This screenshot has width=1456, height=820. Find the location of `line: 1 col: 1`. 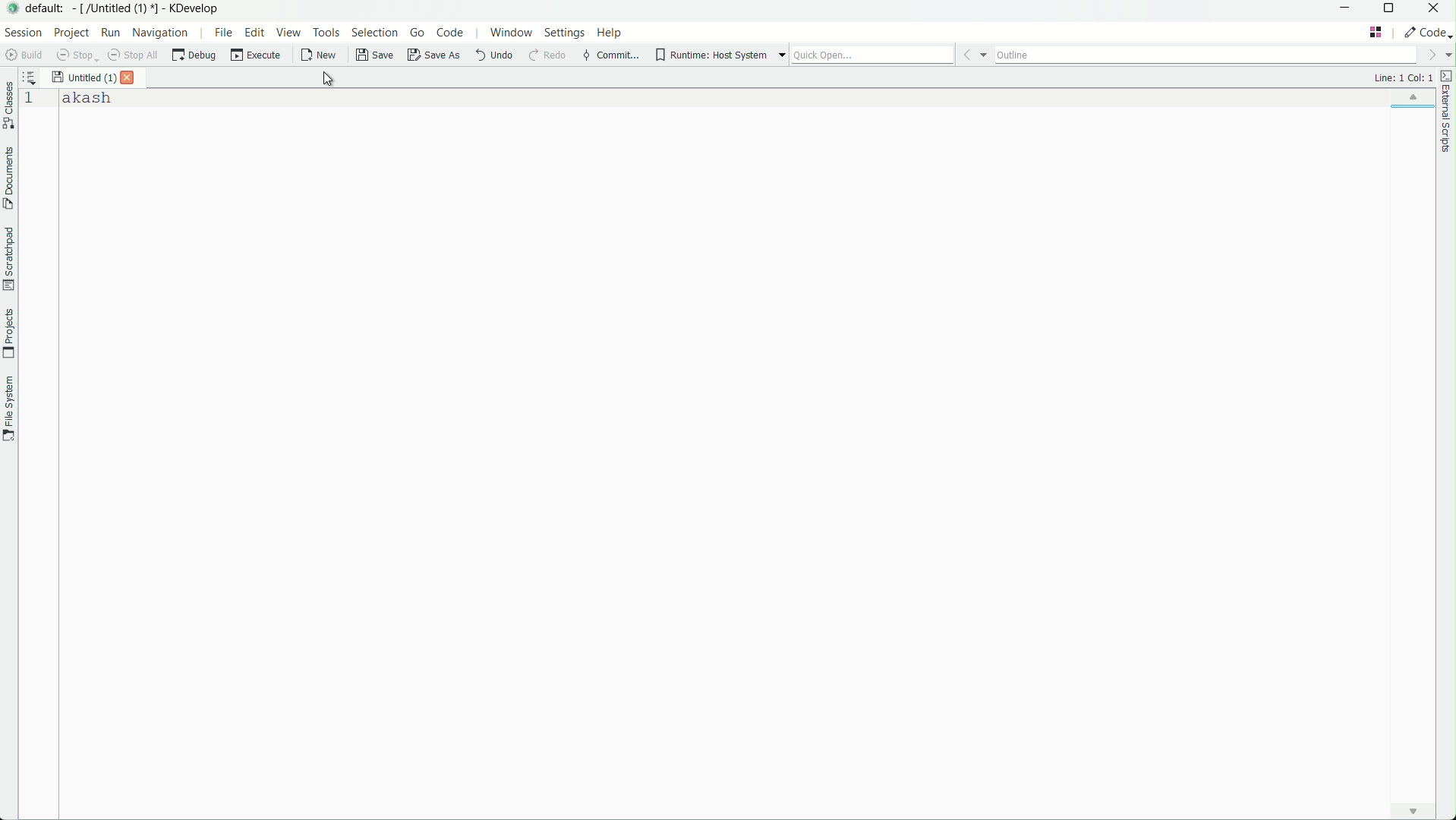

line: 1 col: 1 is located at coordinates (1402, 78).